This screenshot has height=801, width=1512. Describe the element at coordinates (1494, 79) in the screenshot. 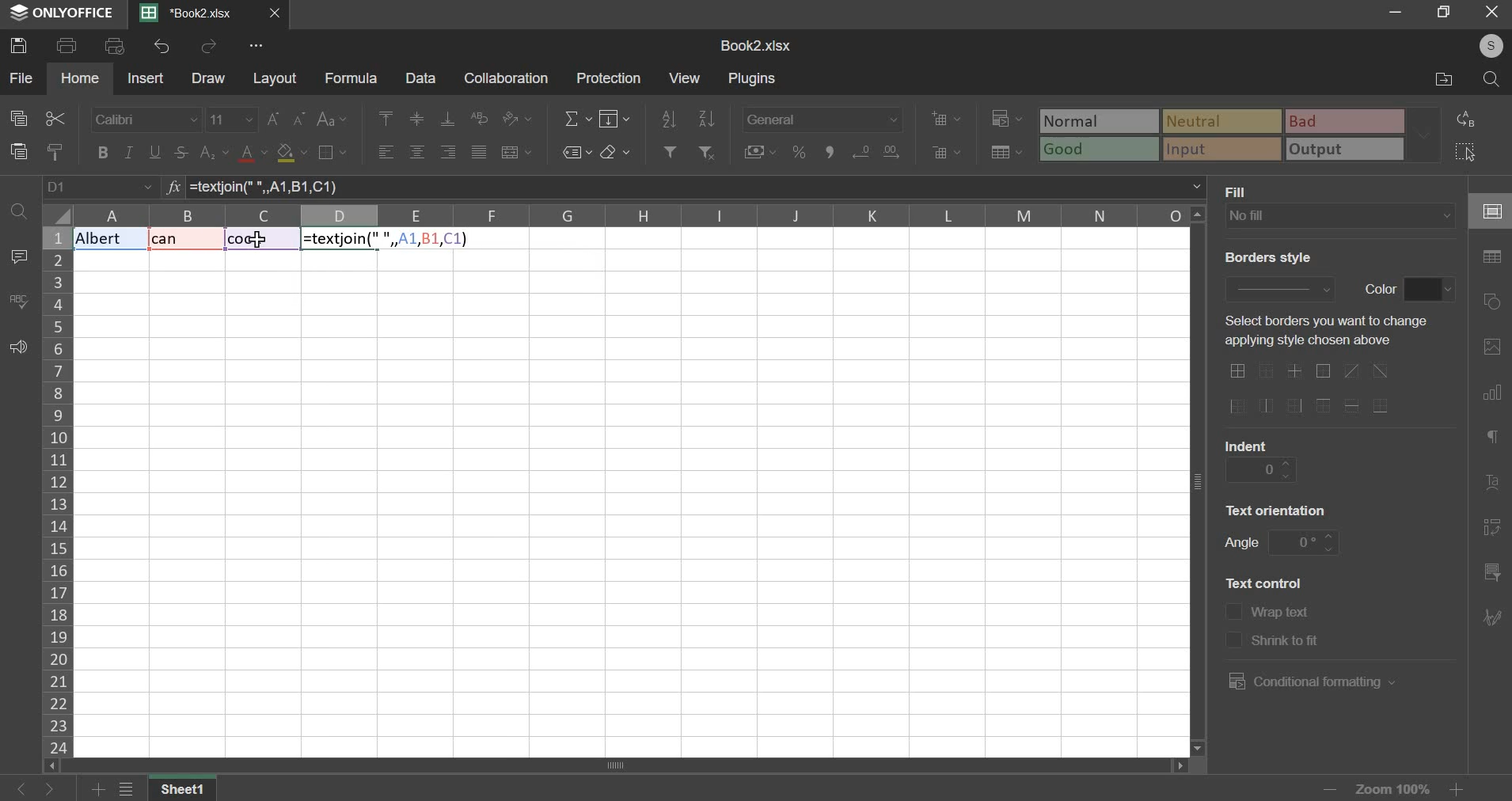

I see `search` at that location.